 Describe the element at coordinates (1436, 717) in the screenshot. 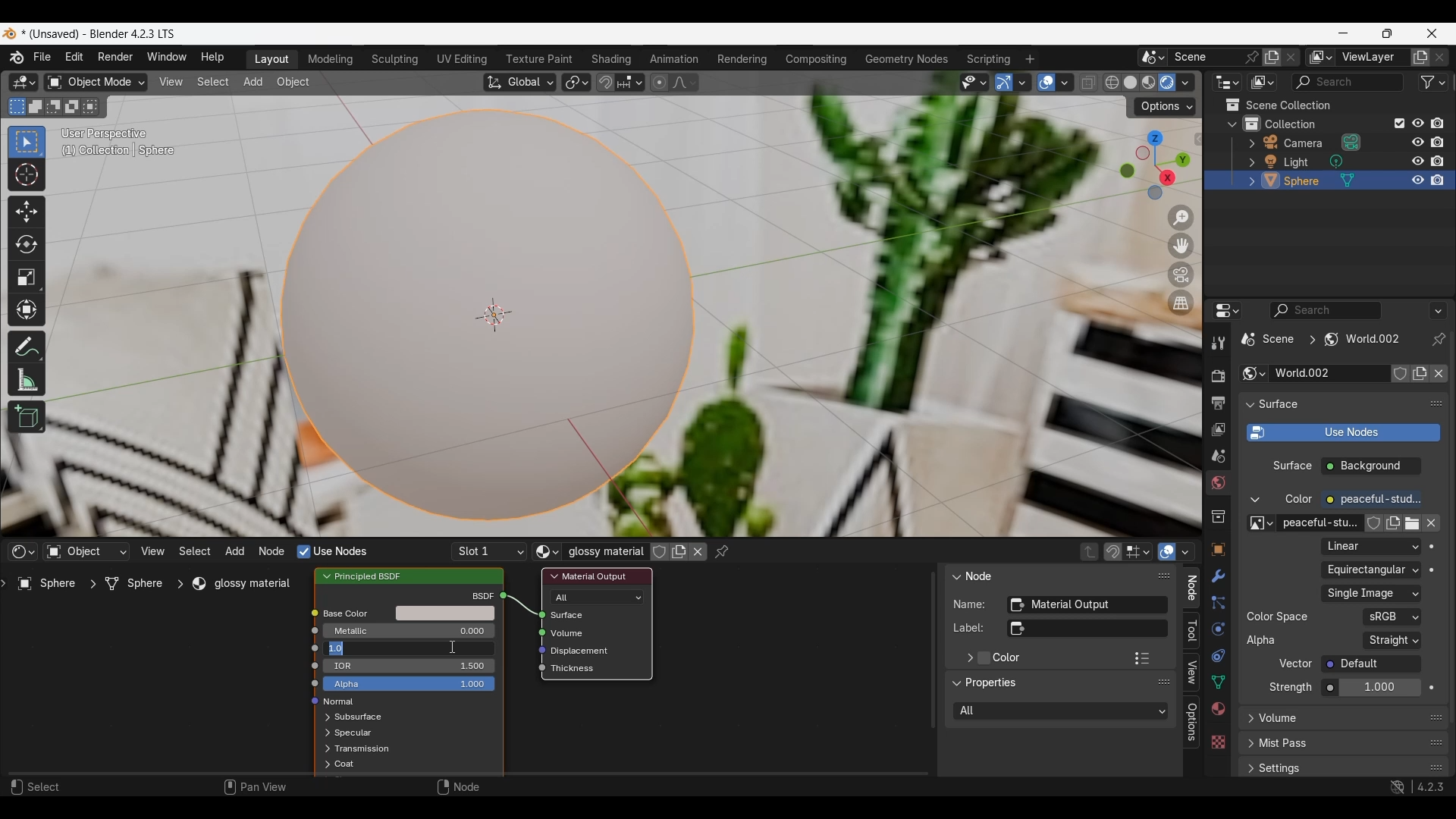

I see `Float volume` at that location.